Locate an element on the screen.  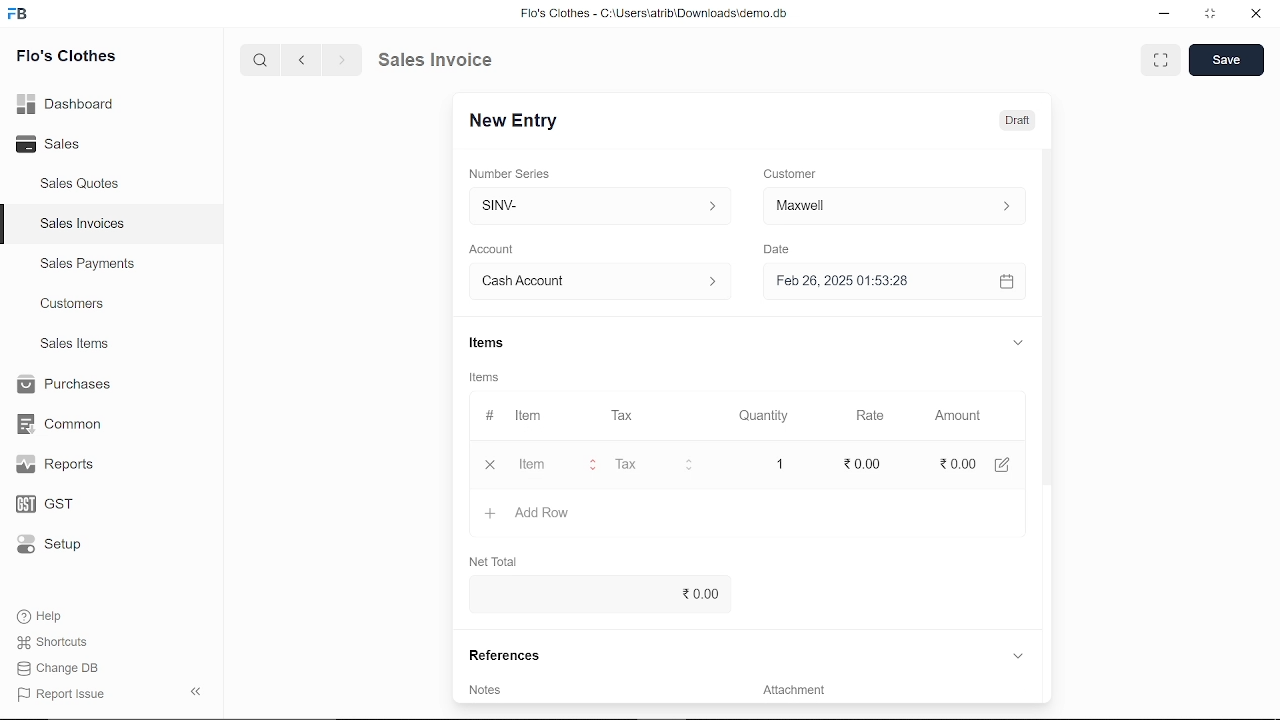
Amount is located at coordinates (958, 416).